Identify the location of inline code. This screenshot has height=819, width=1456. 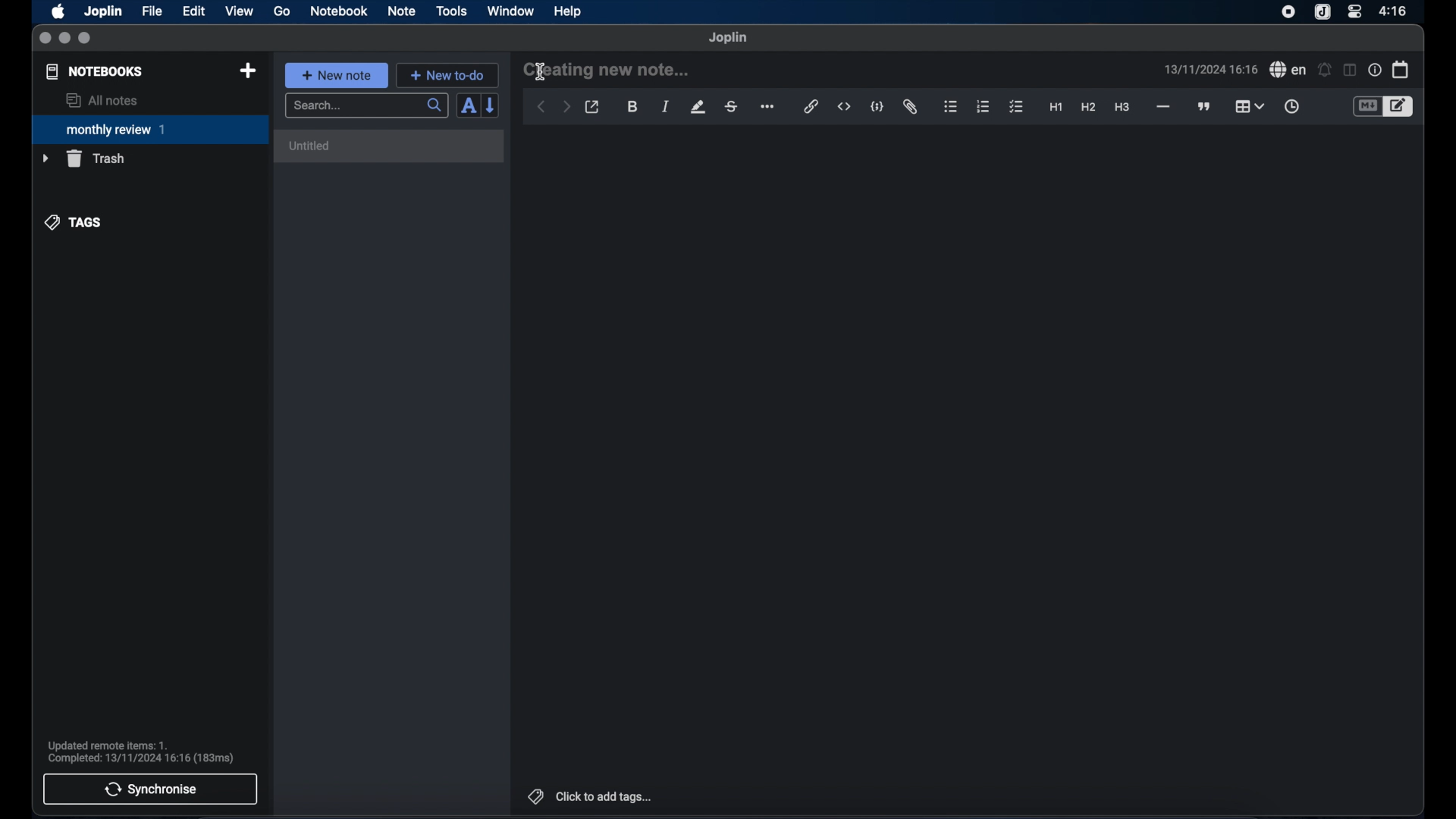
(844, 107).